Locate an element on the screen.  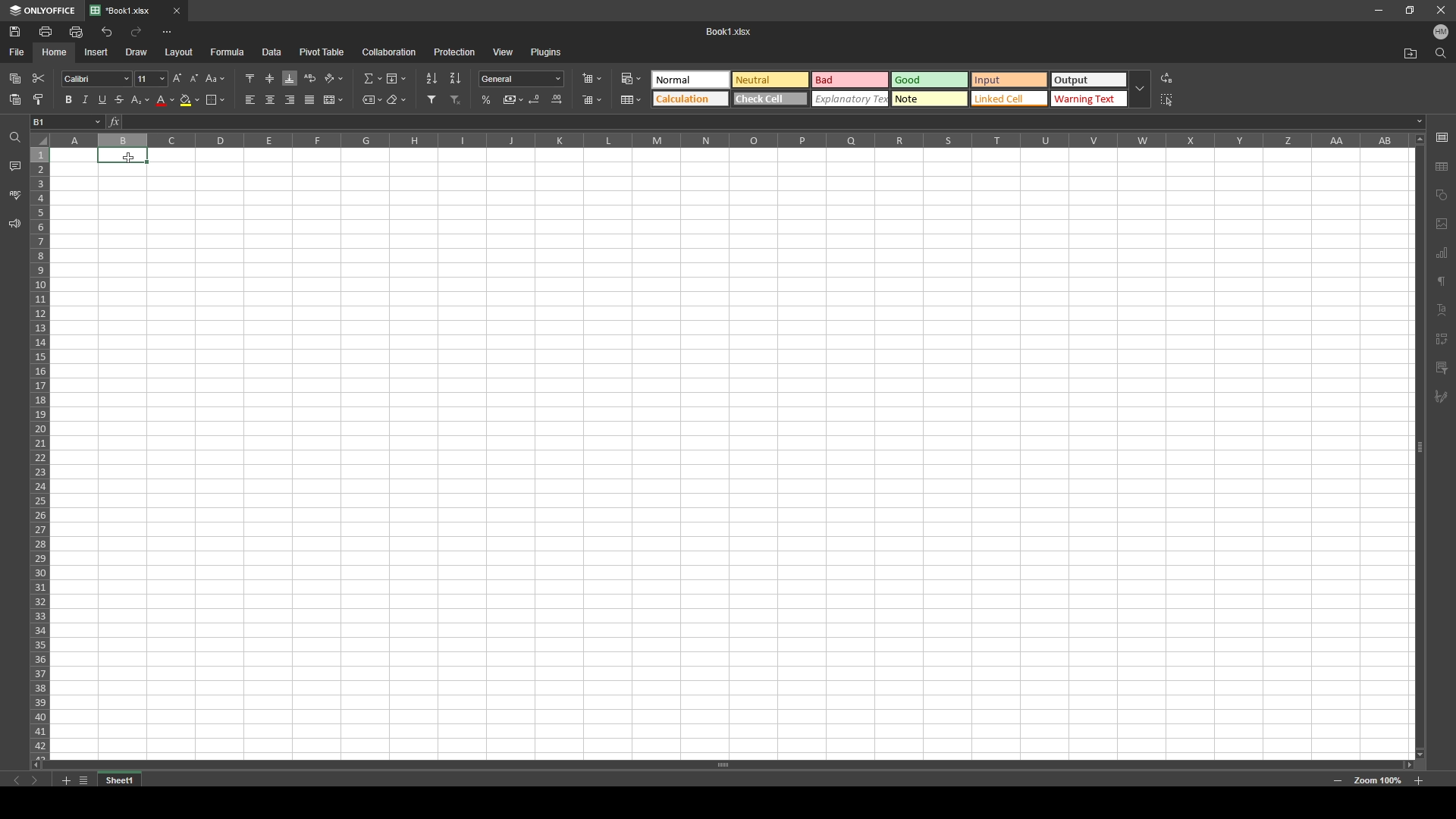
minimize is located at coordinates (1379, 10).